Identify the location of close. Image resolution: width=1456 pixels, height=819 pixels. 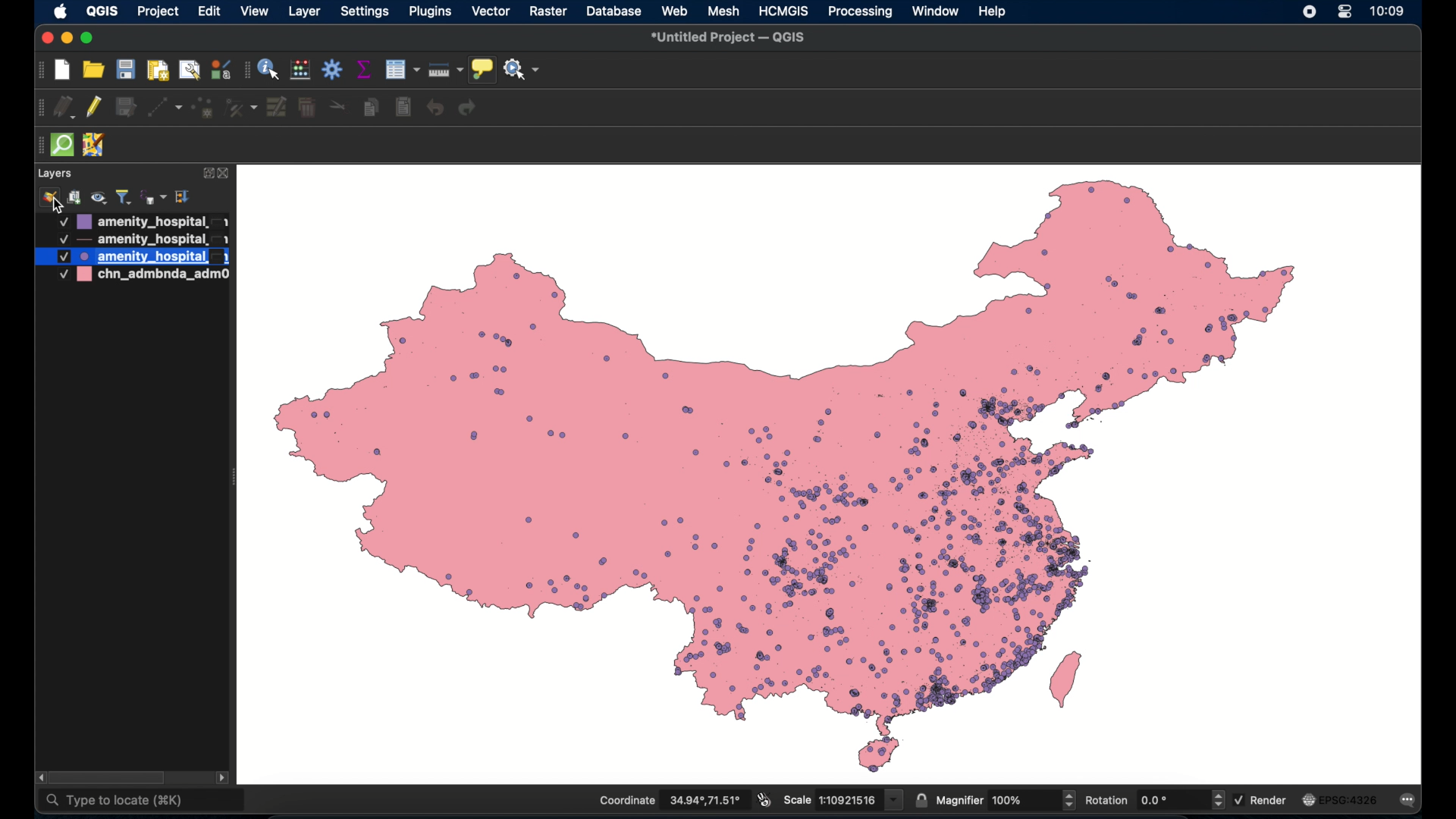
(225, 174).